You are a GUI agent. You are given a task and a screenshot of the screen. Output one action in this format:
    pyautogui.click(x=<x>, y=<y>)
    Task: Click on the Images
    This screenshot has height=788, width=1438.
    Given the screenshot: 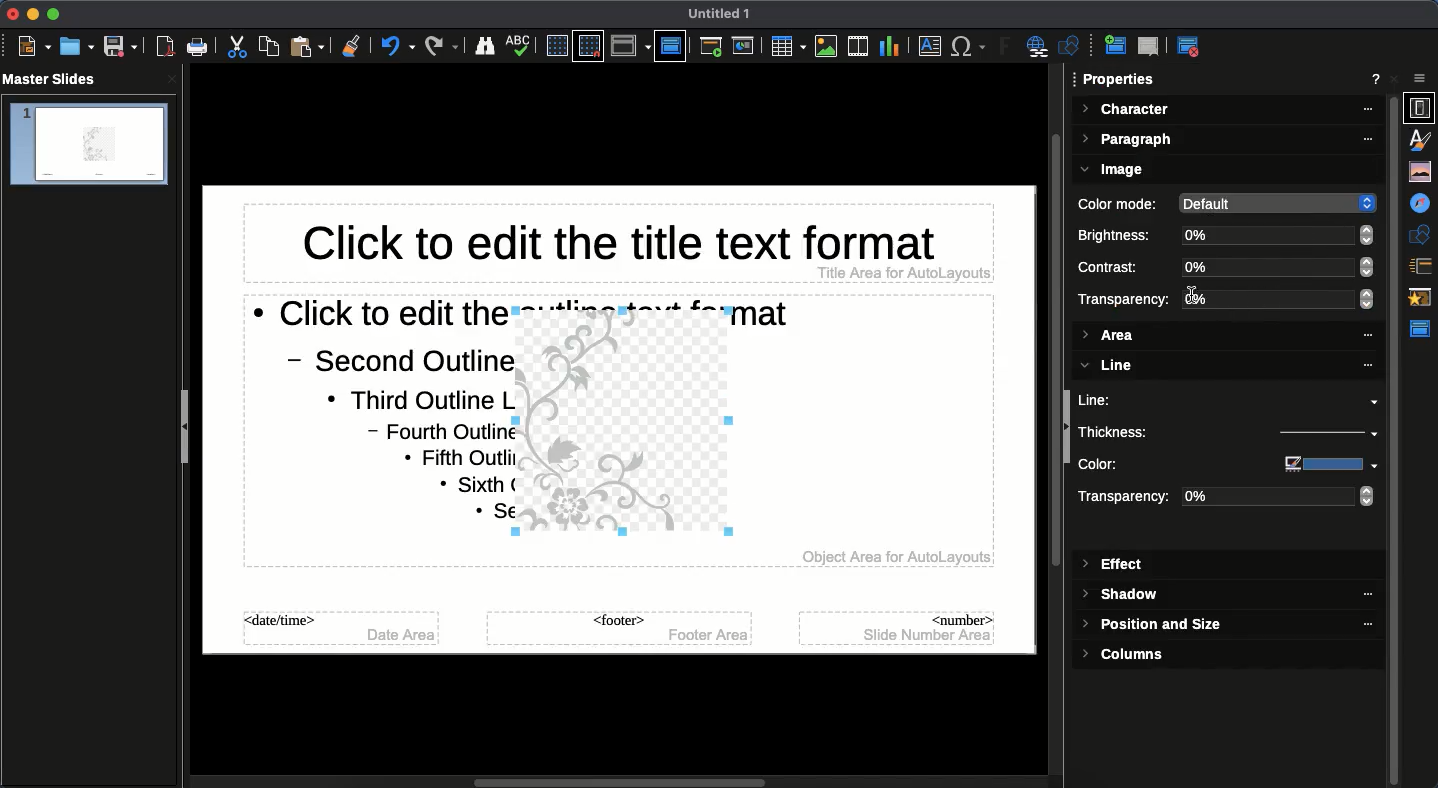 What is the action you would take?
    pyautogui.click(x=826, y=46)
    